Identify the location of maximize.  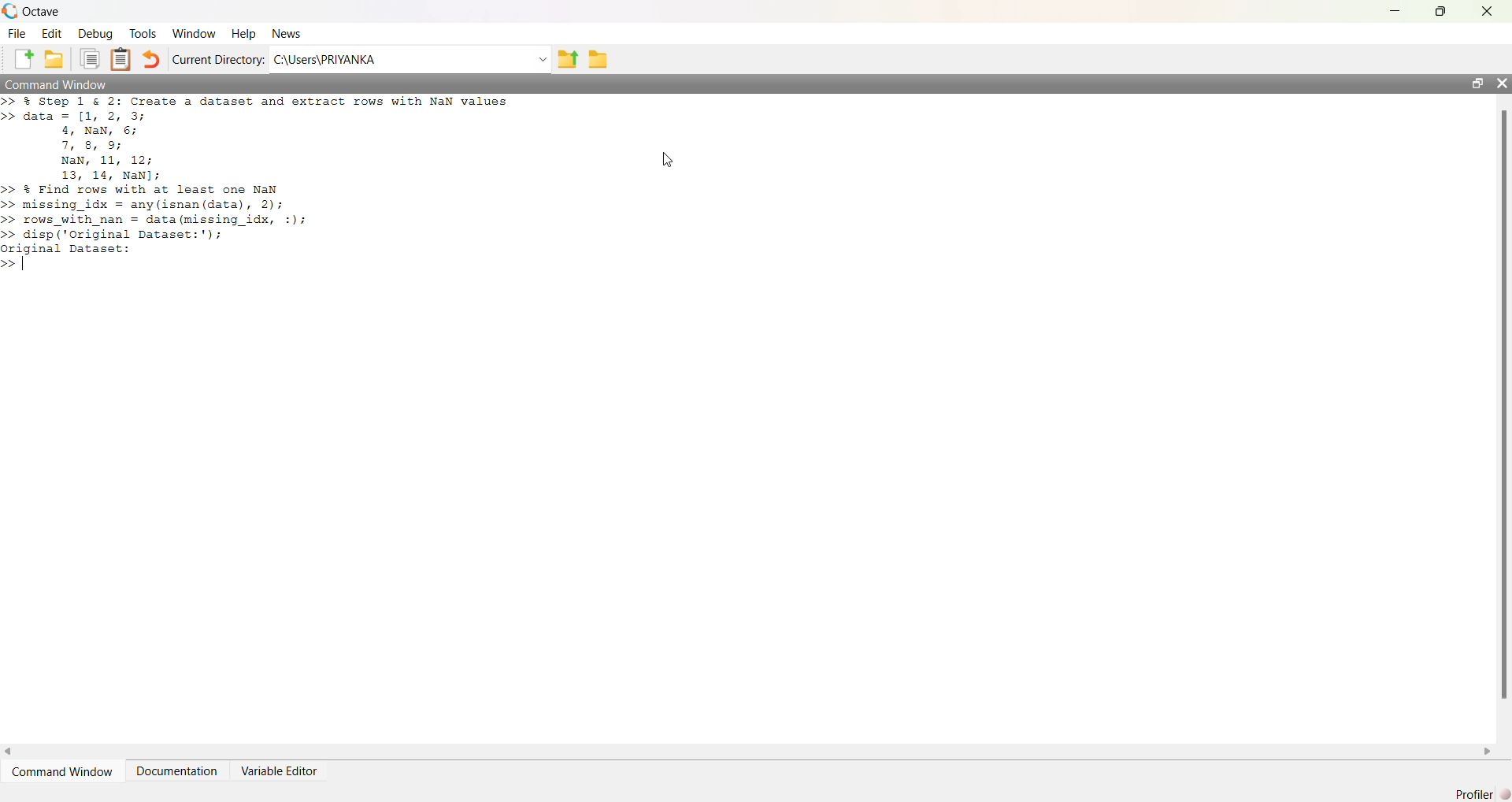
(1441, 10).